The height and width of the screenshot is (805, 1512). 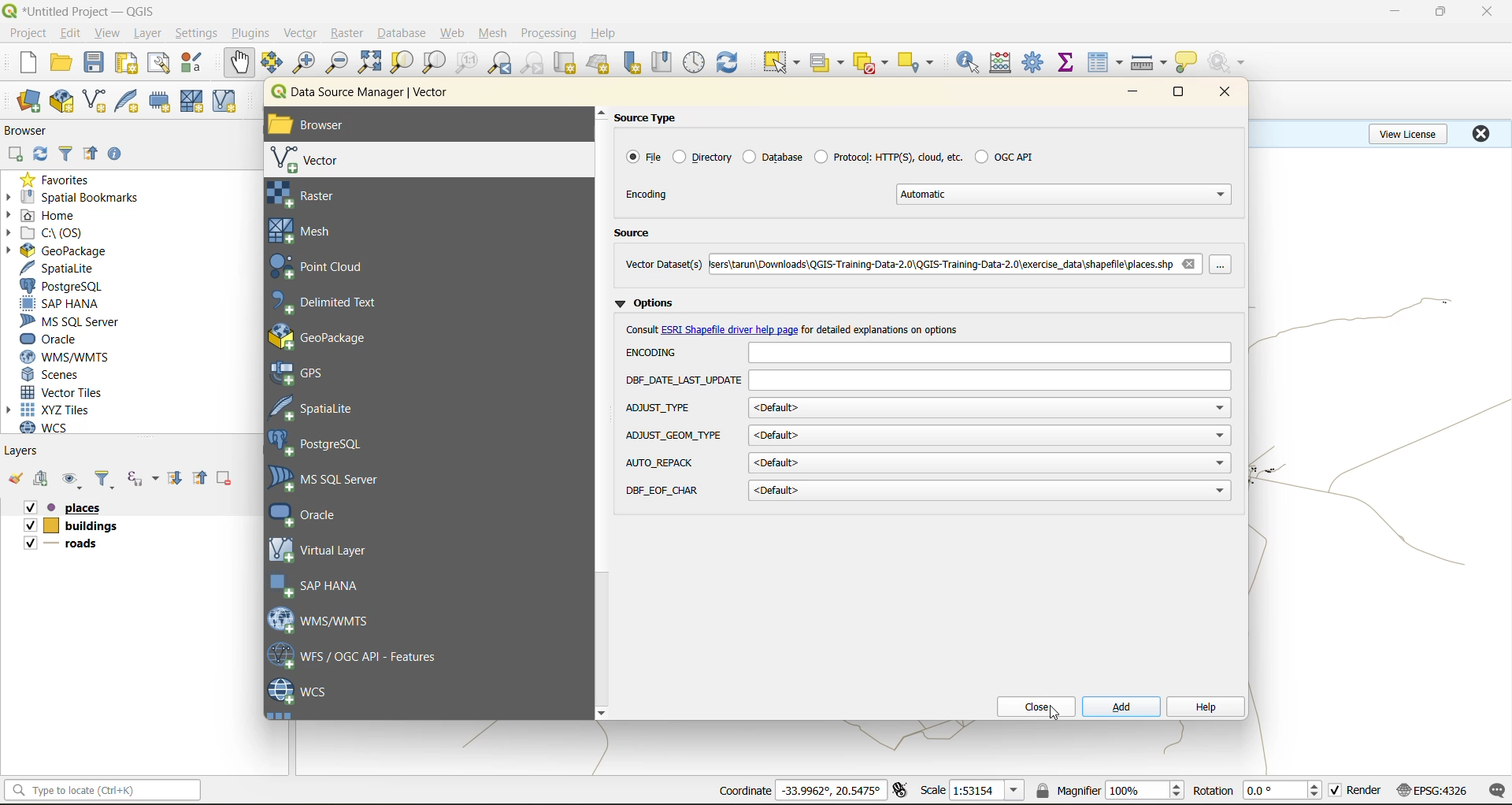 What do you see at coordinates (159, 63) in the screenshot?
I see `show layout` at bounding box center [159, 63].